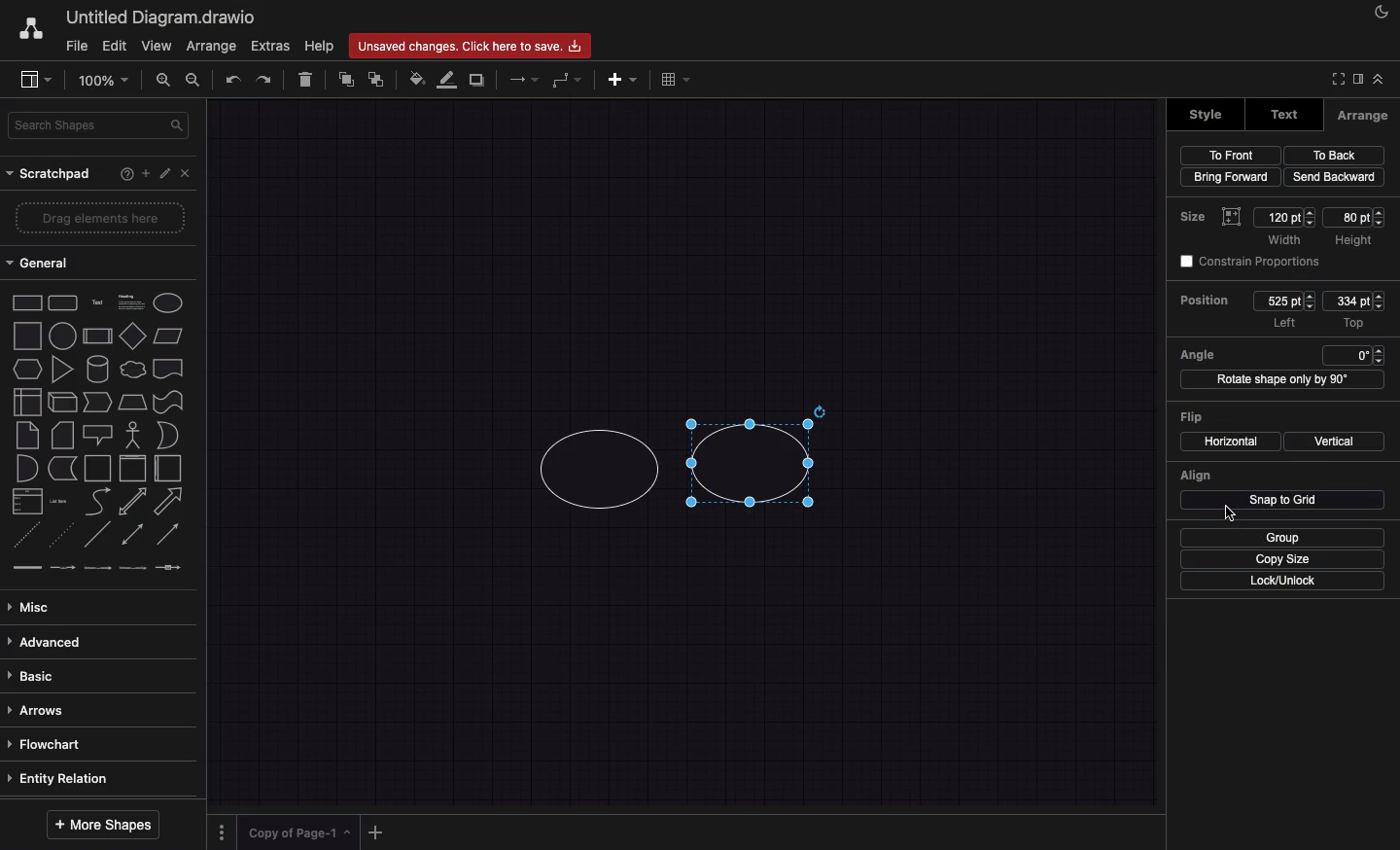 Image resolution: width=1400 pixels, height=850 pixels. I want to click on search shapes, so click(99, 127).